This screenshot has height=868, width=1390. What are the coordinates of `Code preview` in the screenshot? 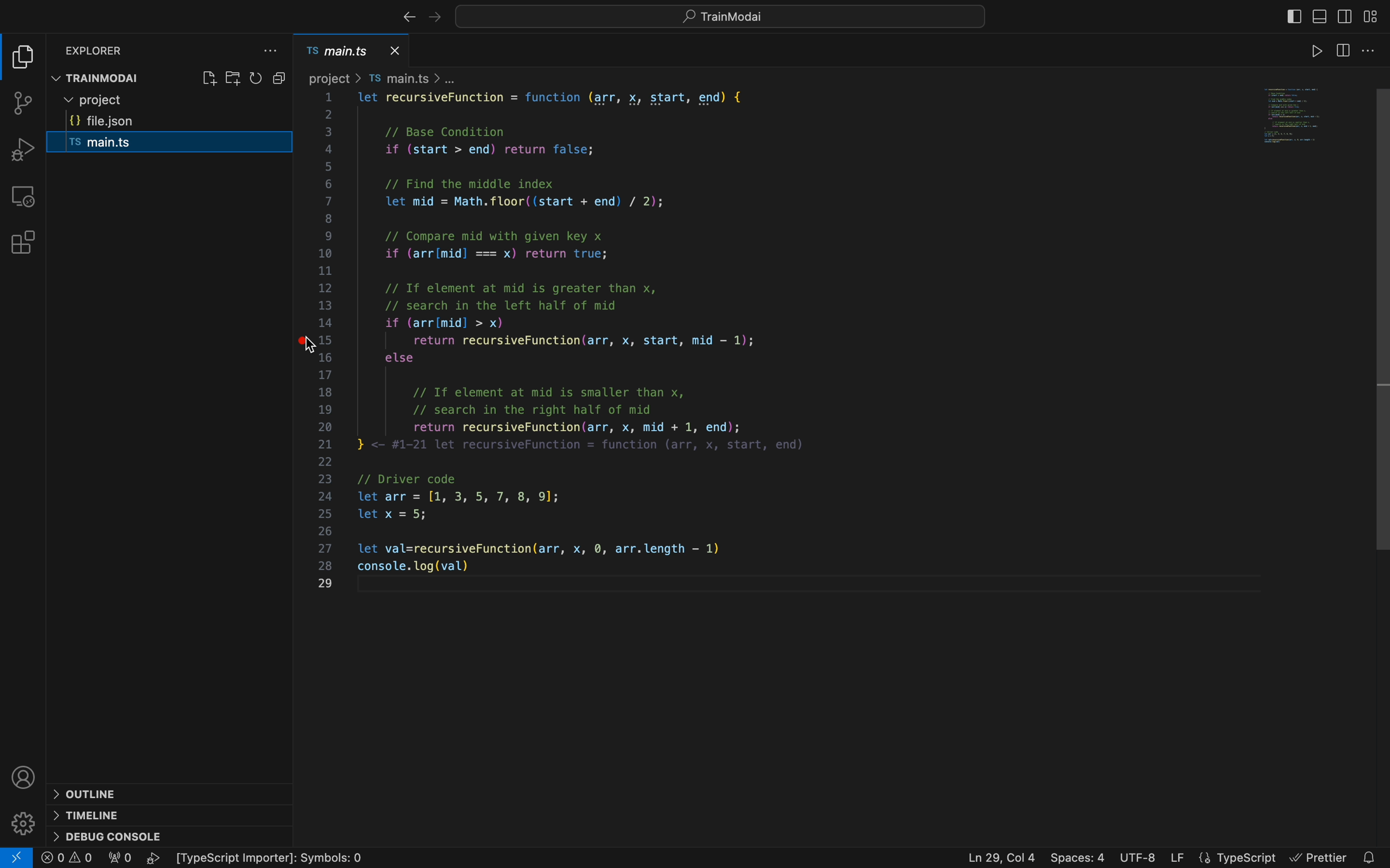 It's located at (1295, 116).